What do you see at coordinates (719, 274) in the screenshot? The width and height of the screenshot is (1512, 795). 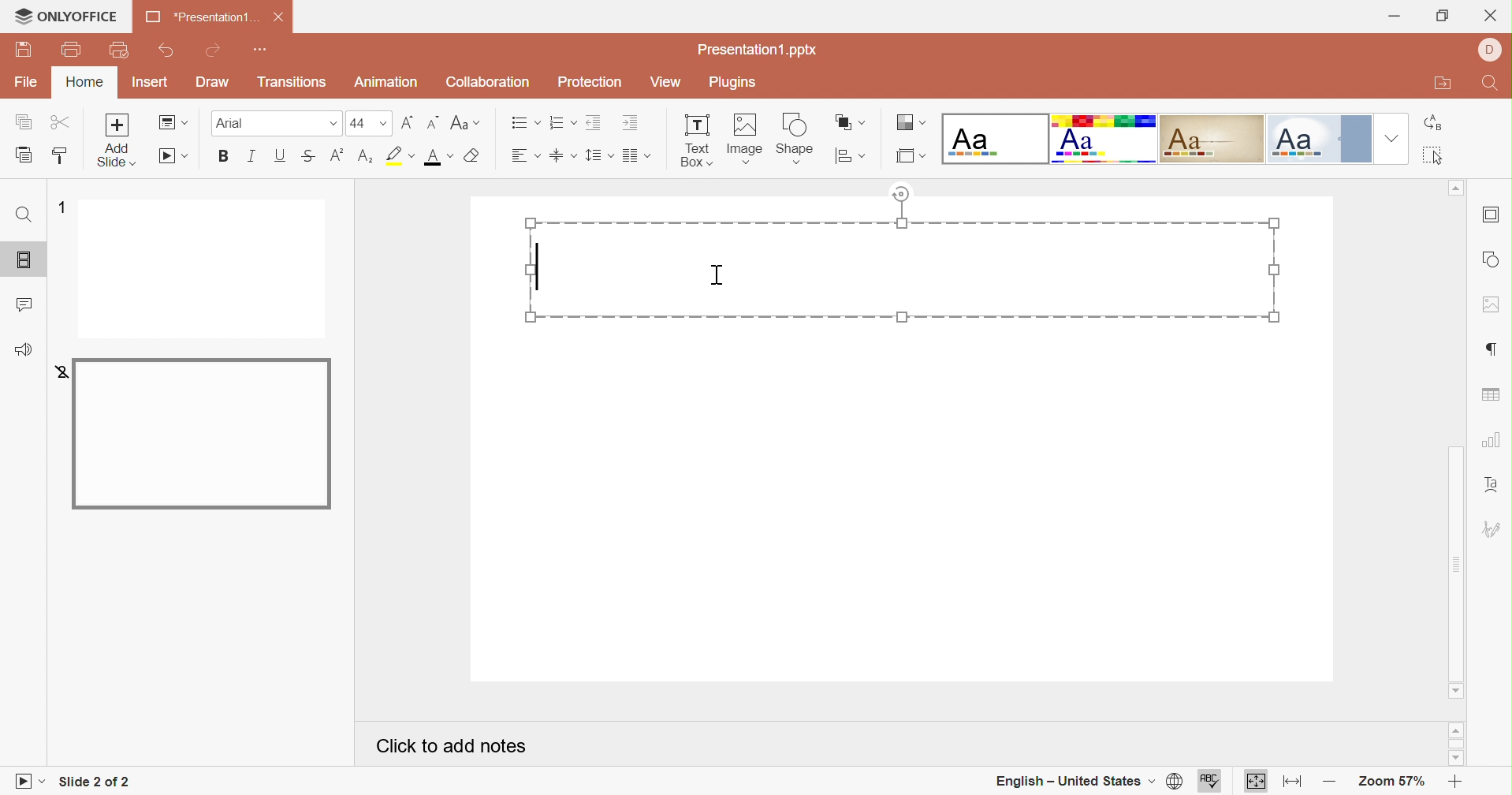 I see `Cursor` at bounding box center [719, 274].